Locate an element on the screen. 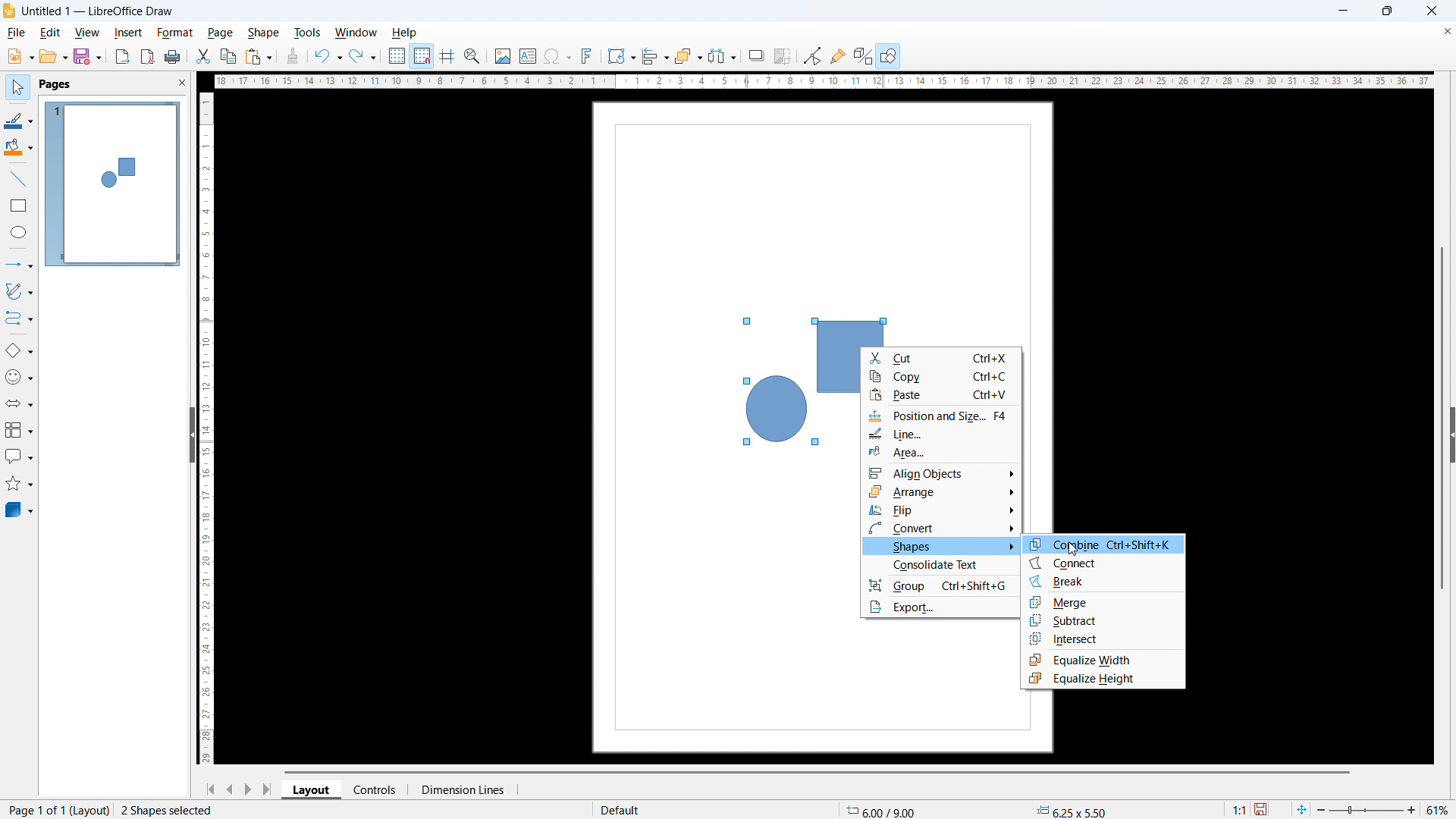 This screenshot has height=819, width=1456. page is located at coordinates (221, 32).